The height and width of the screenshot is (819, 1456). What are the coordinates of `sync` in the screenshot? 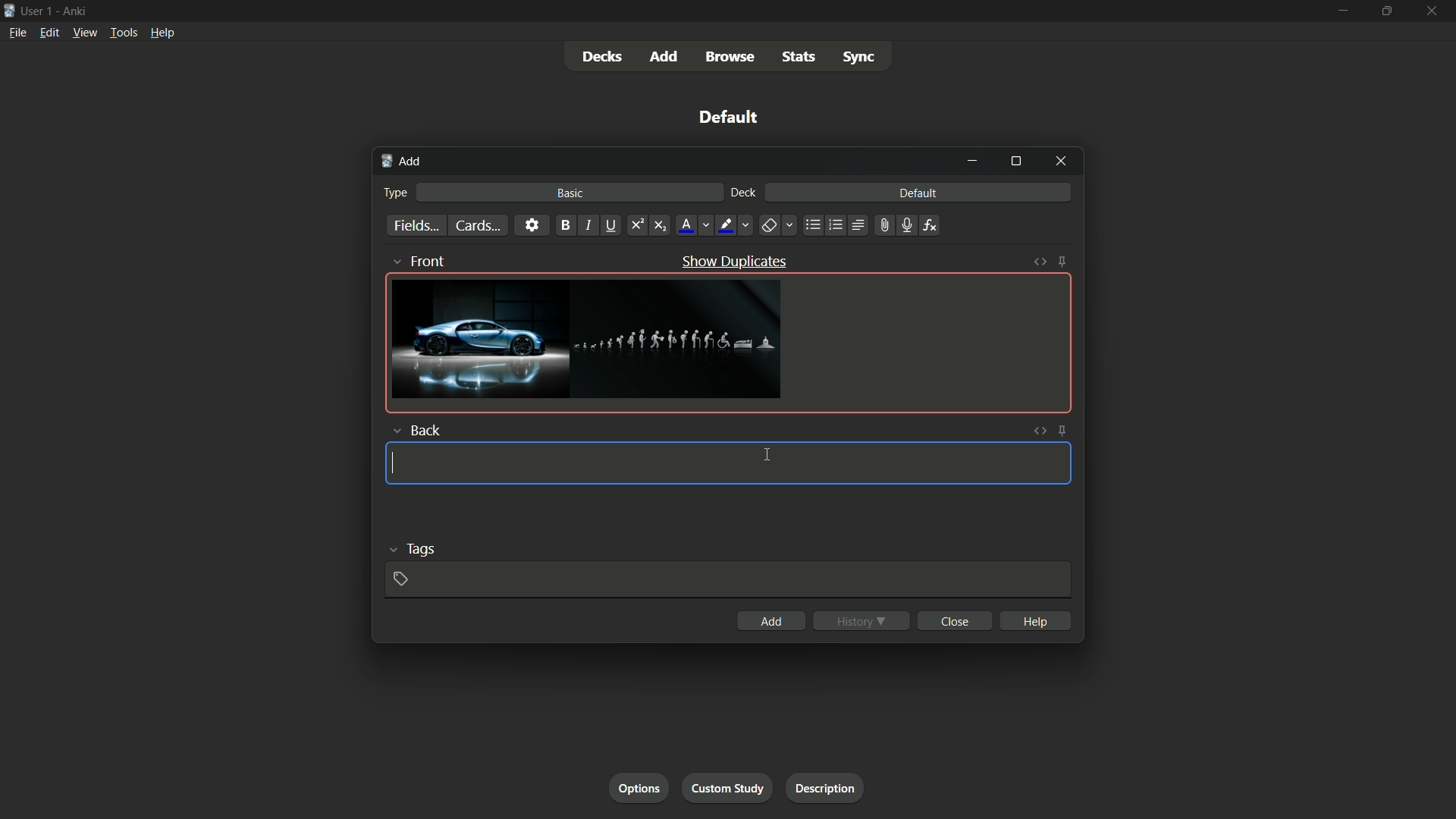 It's located at (861, 58).